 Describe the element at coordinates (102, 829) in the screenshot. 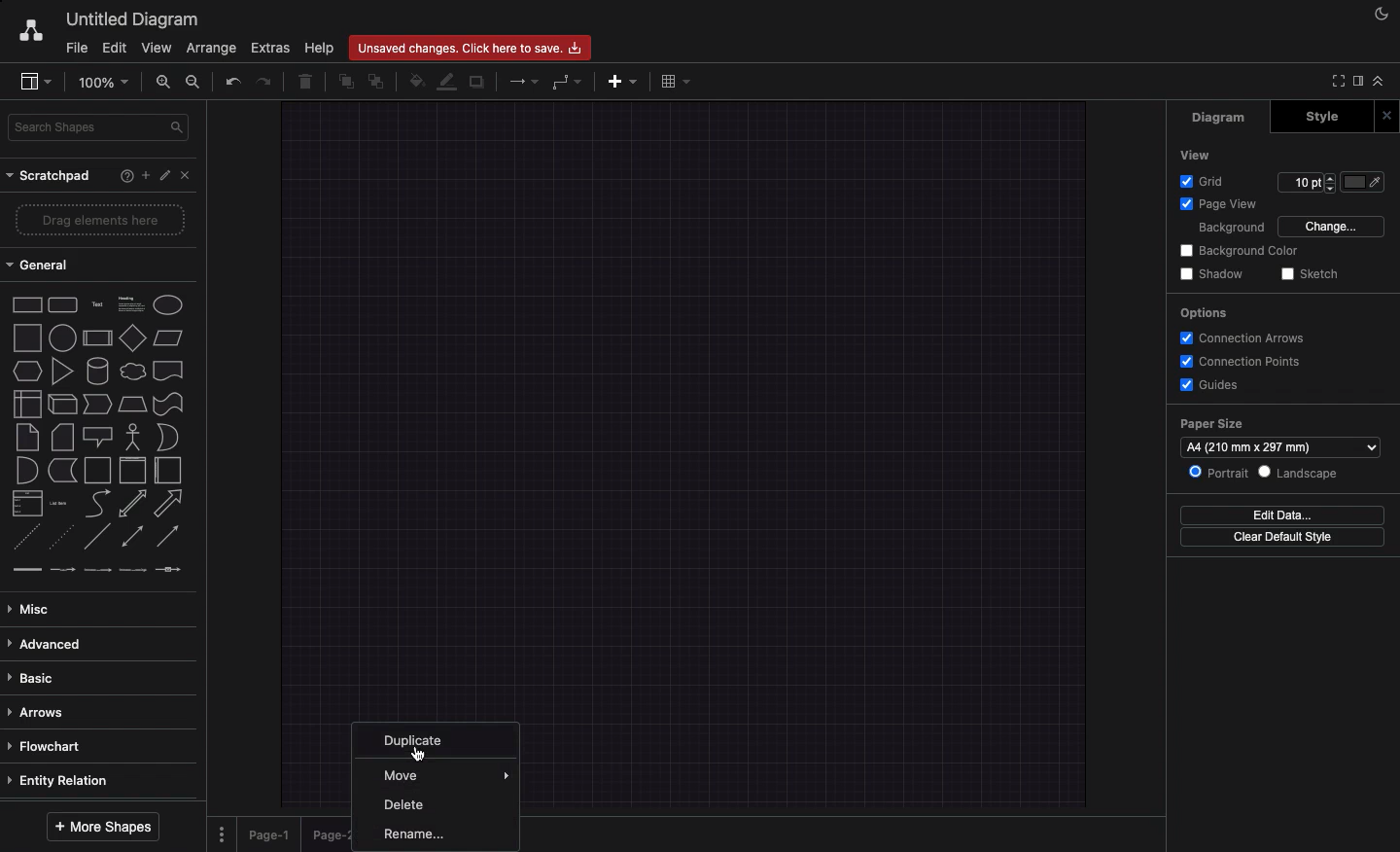

I see `More shapes` at that location.